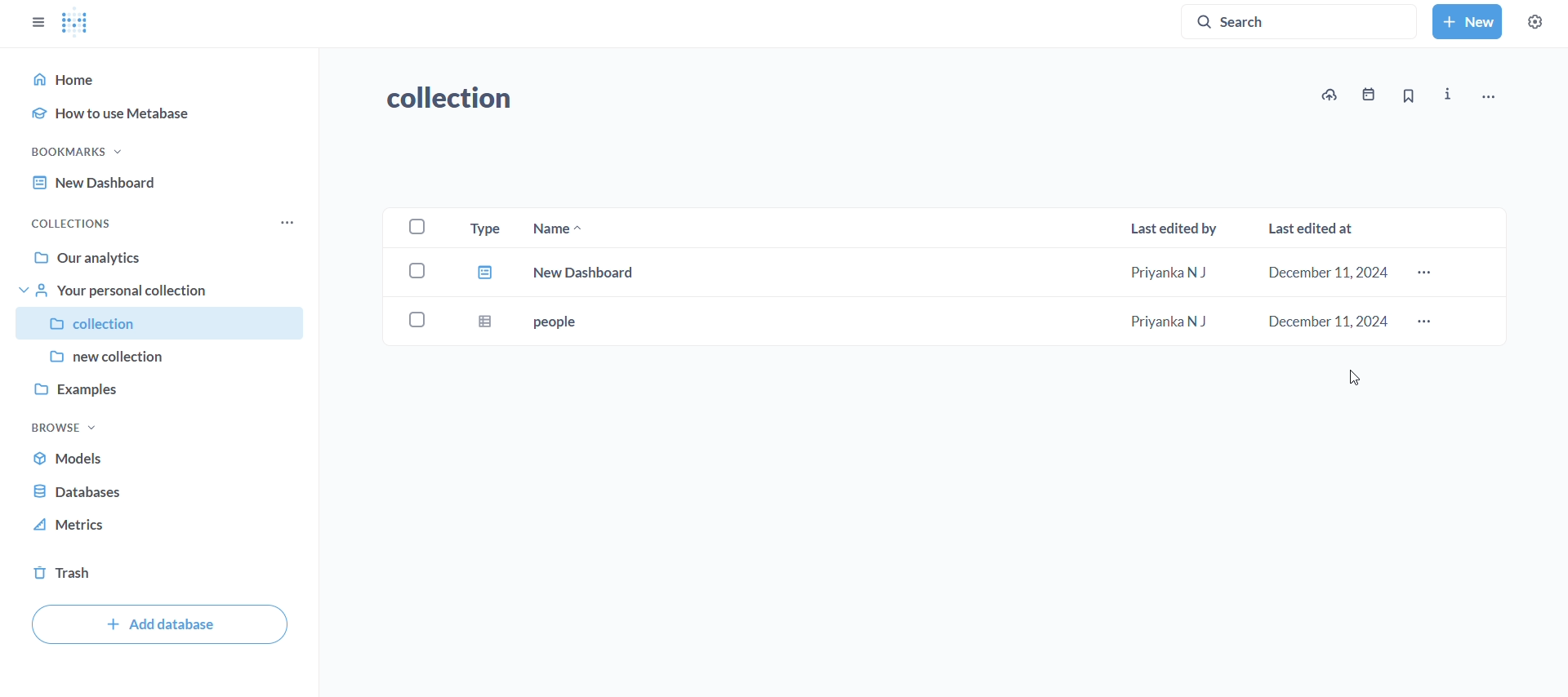  I want to click on events, so click(1367, 95).